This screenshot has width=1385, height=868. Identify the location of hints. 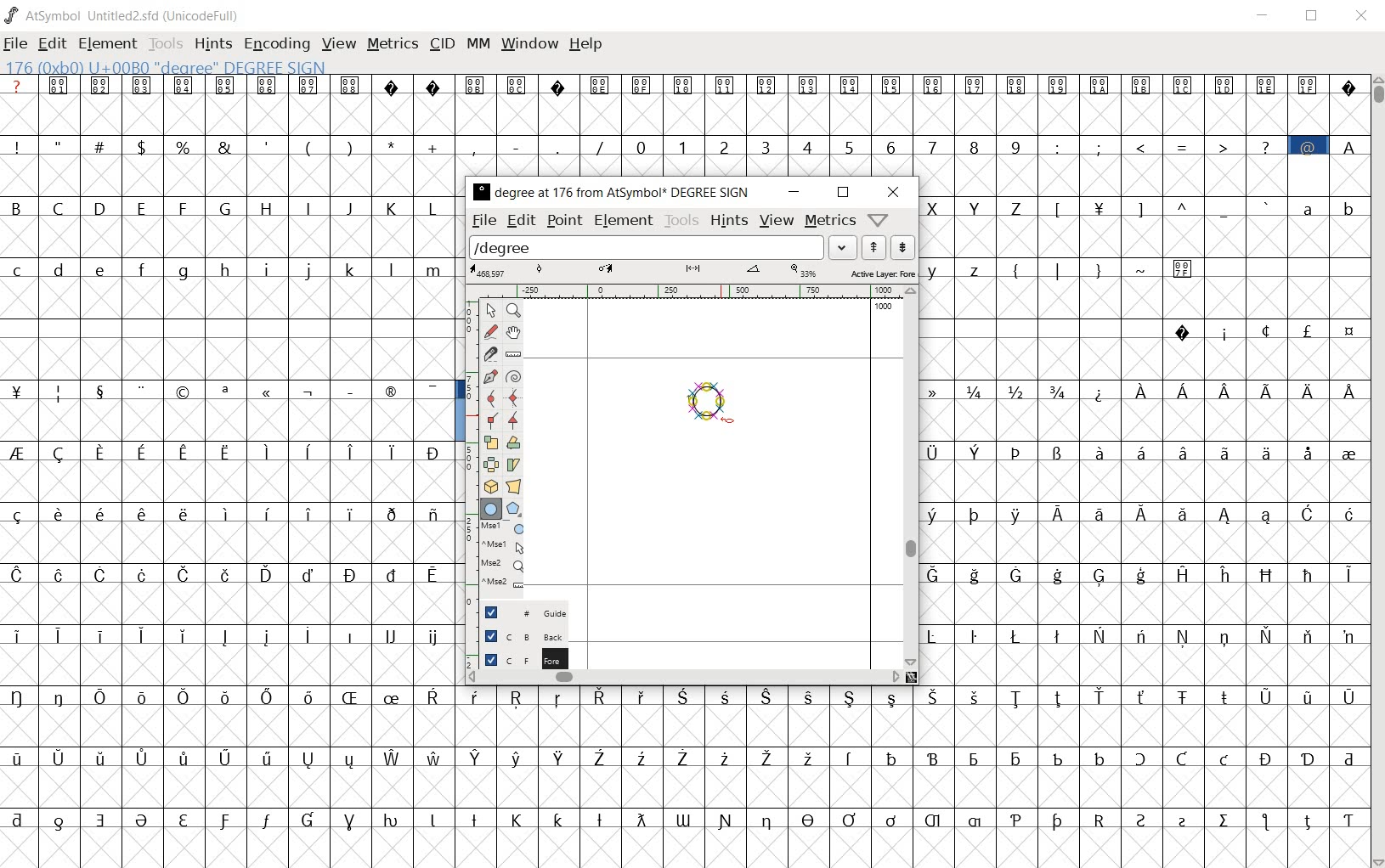
(212, 44).